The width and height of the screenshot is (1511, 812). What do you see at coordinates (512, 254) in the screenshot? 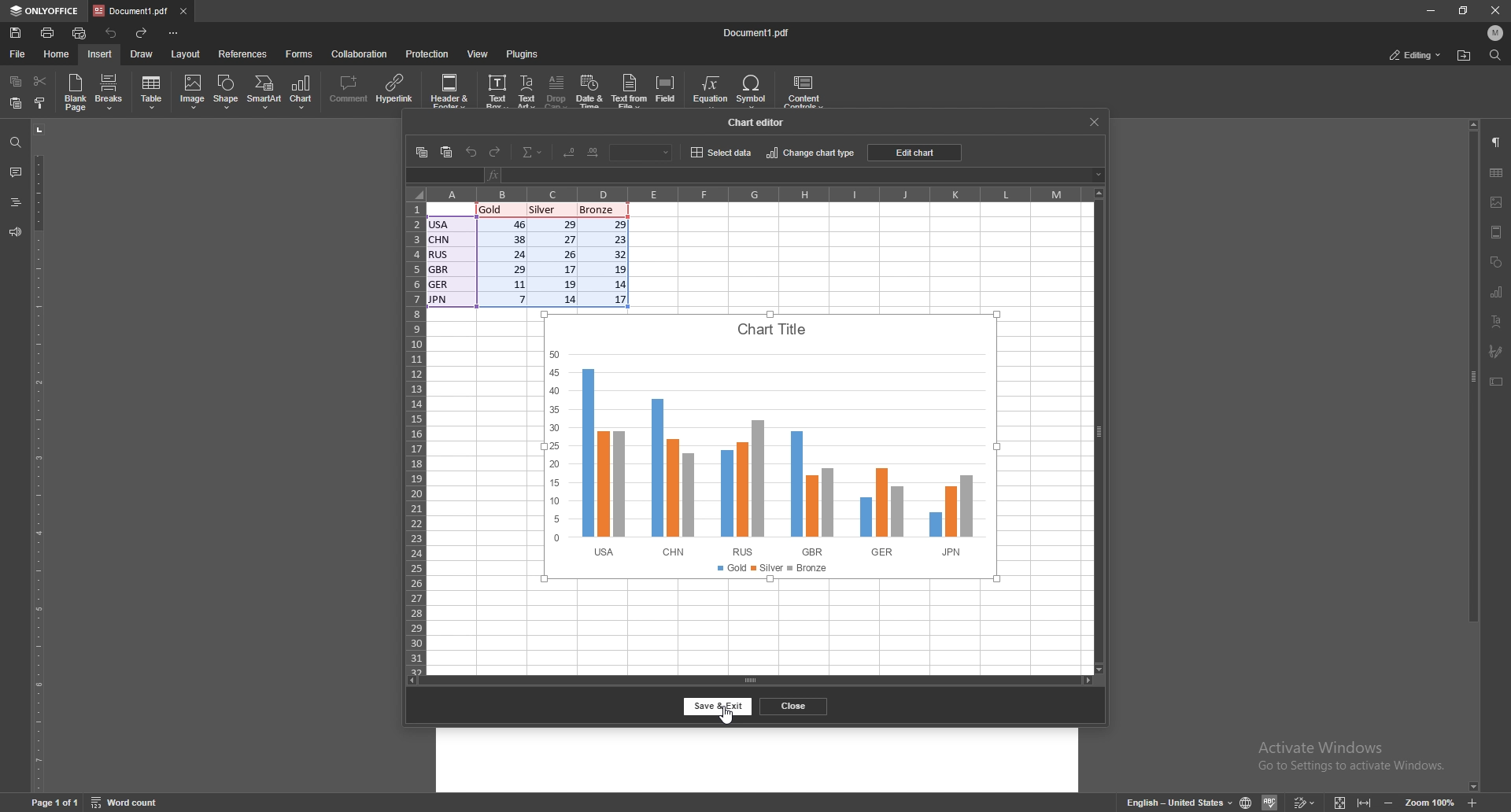
I see `24` at bounding box center [512, 254].